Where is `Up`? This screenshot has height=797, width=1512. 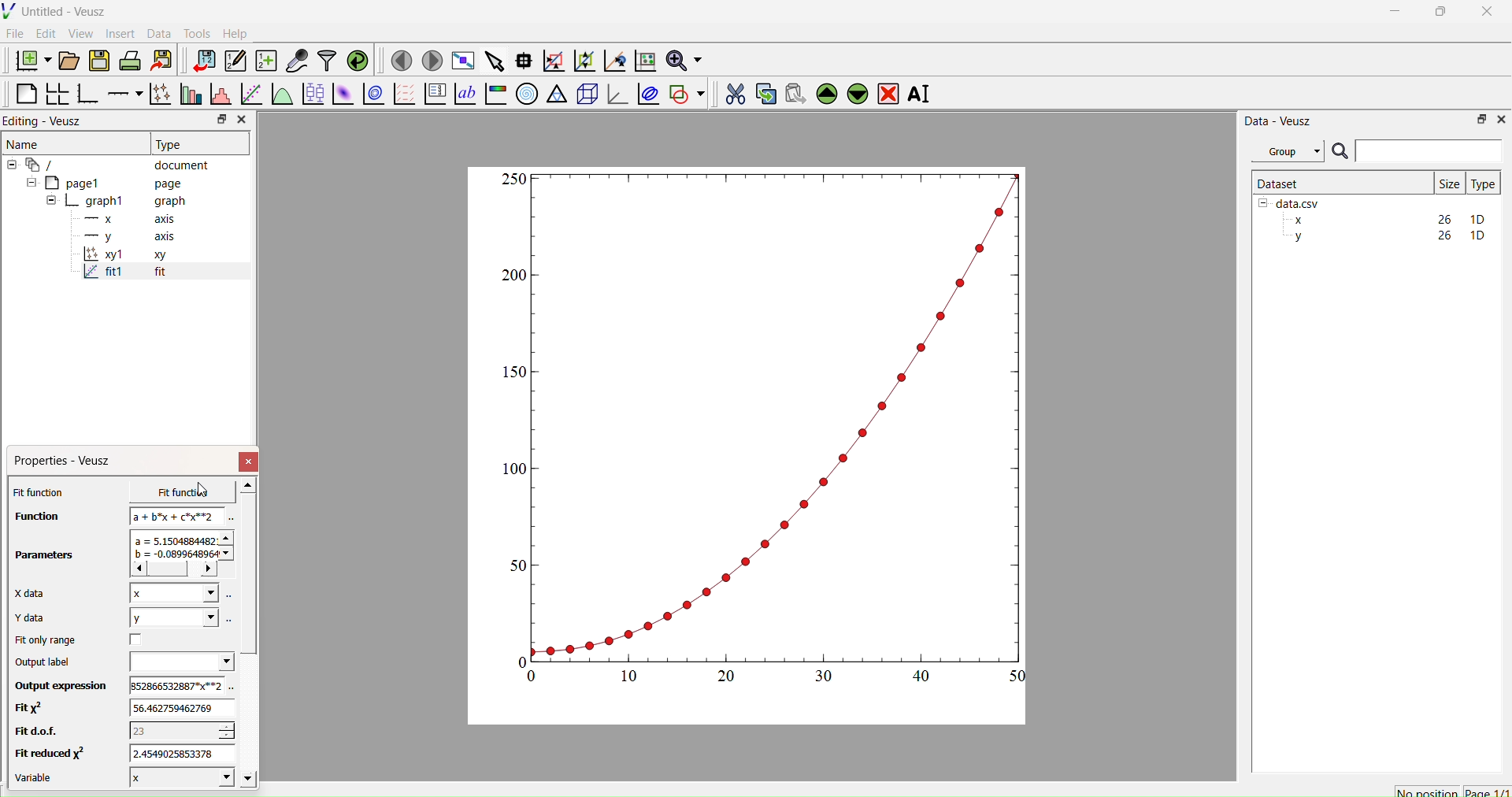 Up is located at coordinates (825, 91).